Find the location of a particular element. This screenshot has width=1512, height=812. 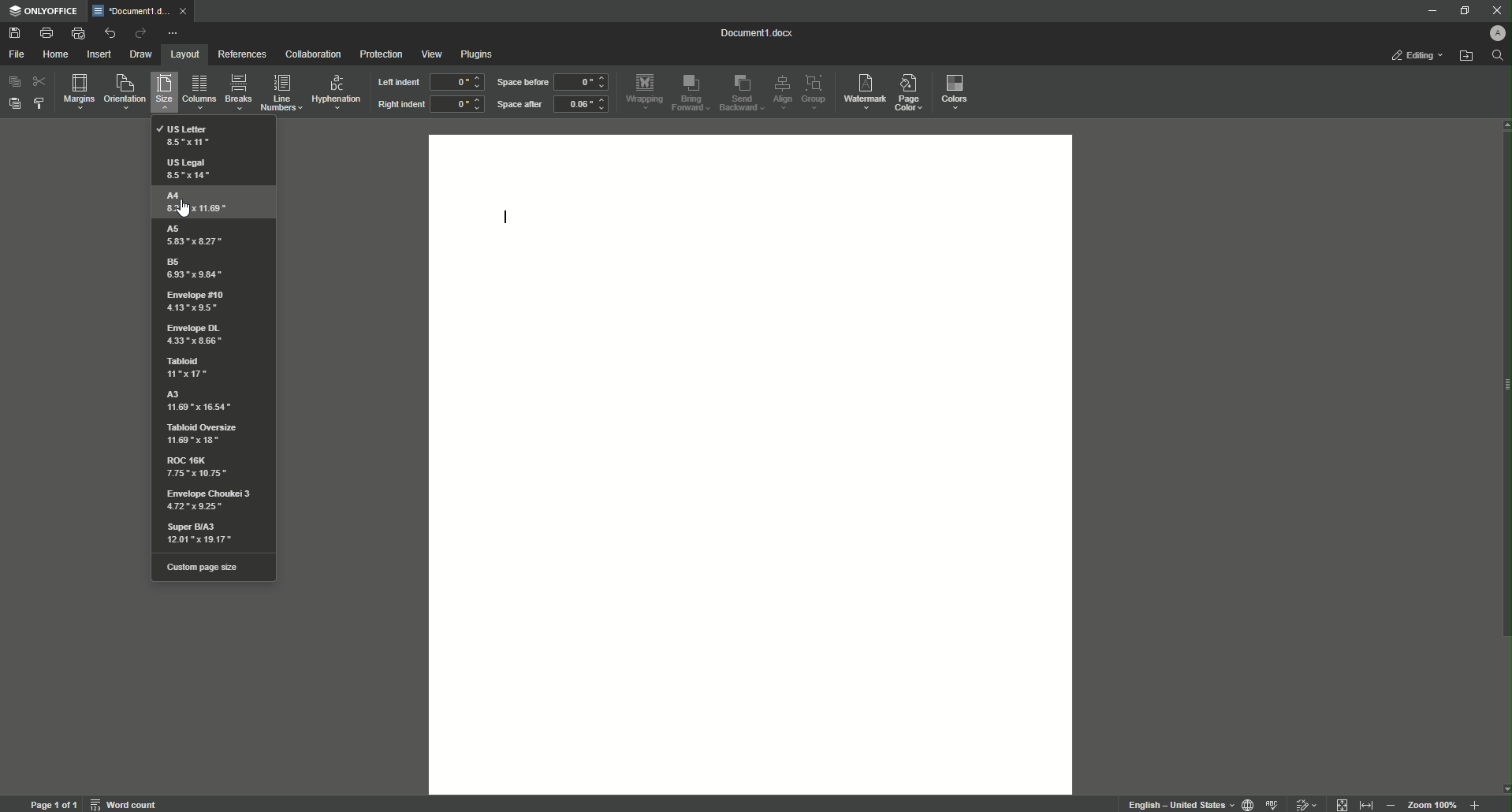

Editing is located at coordinates (1414, 56).